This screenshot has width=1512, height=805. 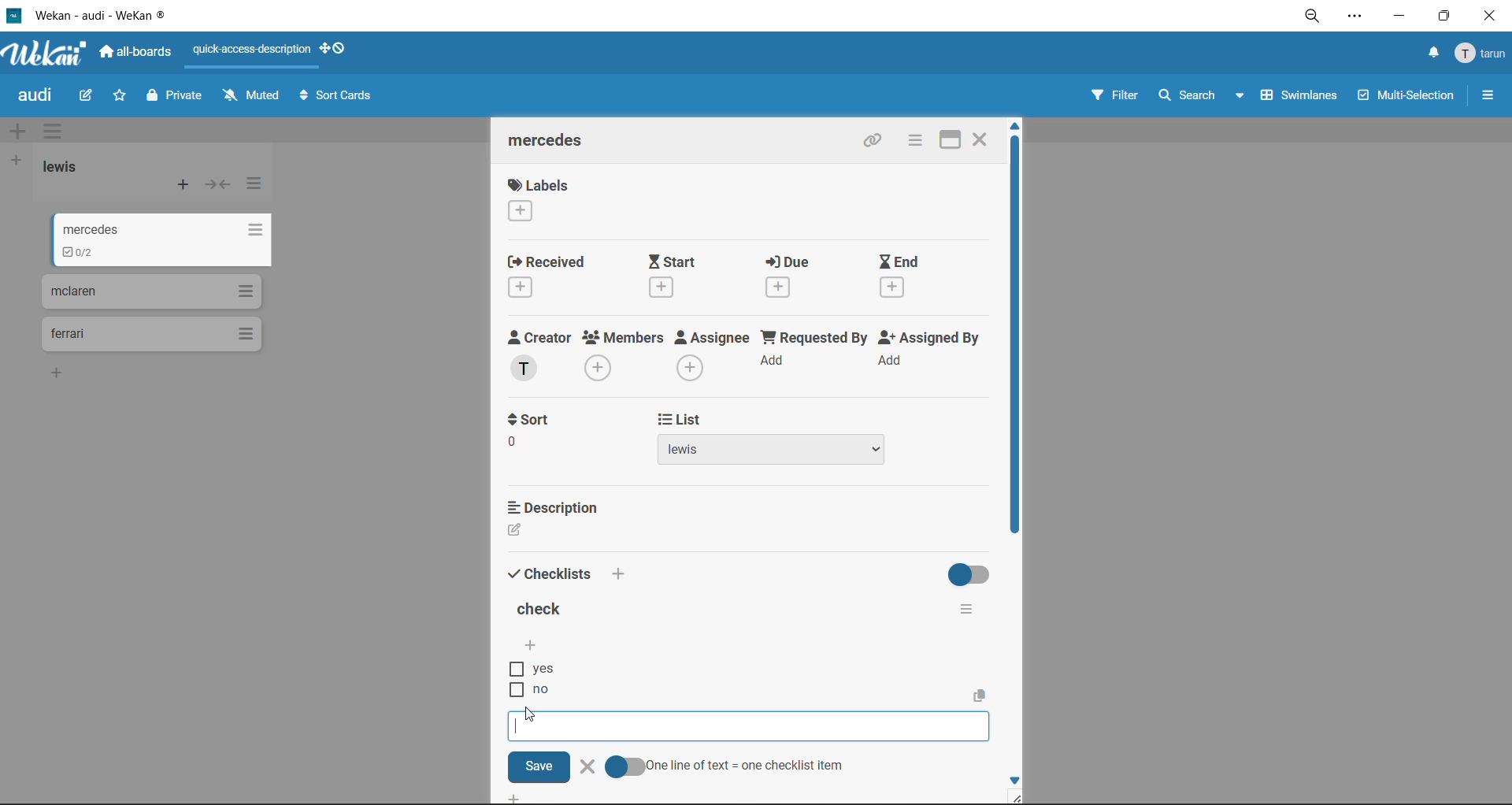 What do you see at coordinates (524, 369) in the screenshot?
I see `T` at bounding box center [524, 369].